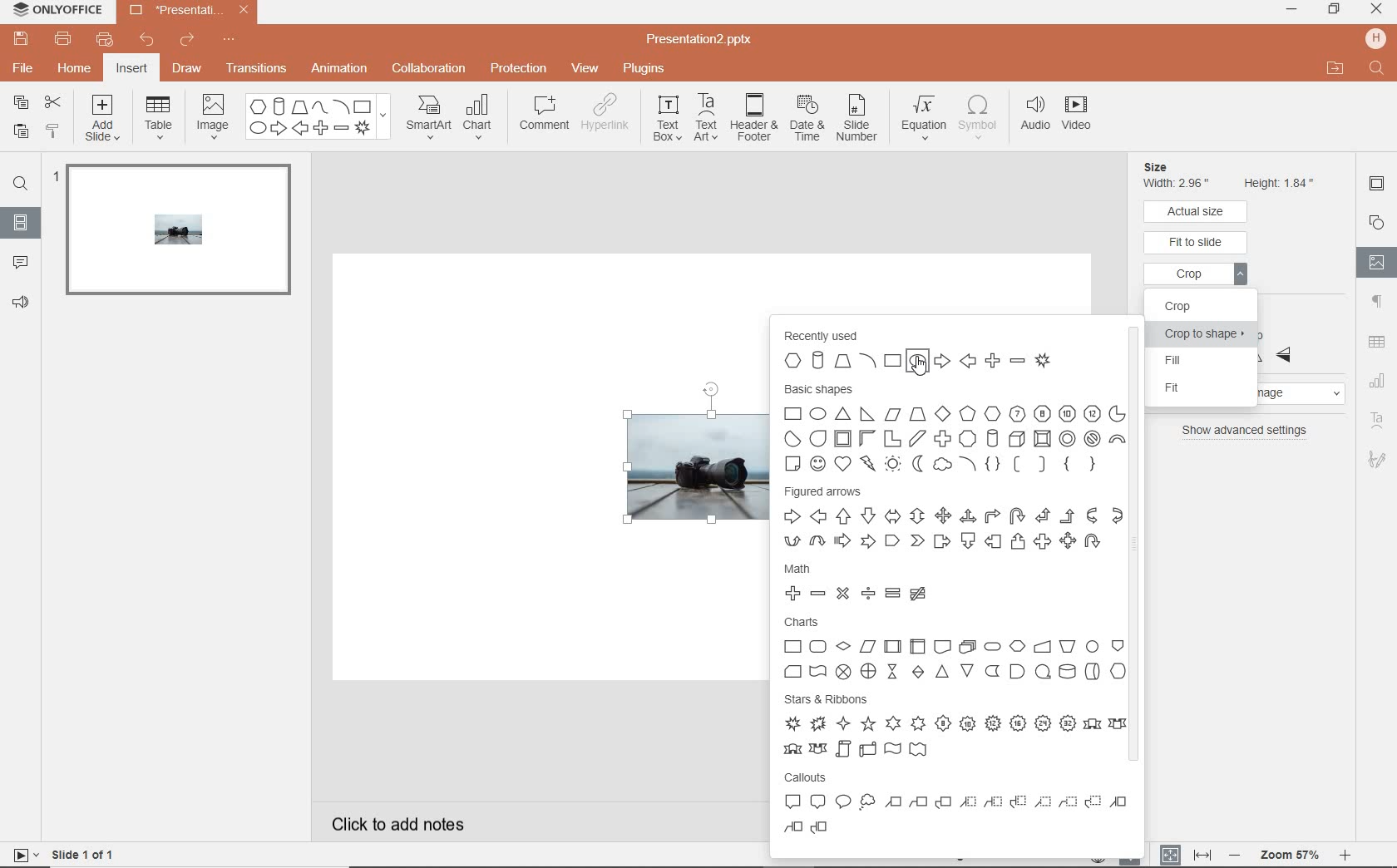 This screenshot has height=868, width=1397. I want to click on draw, so click(188, 70).